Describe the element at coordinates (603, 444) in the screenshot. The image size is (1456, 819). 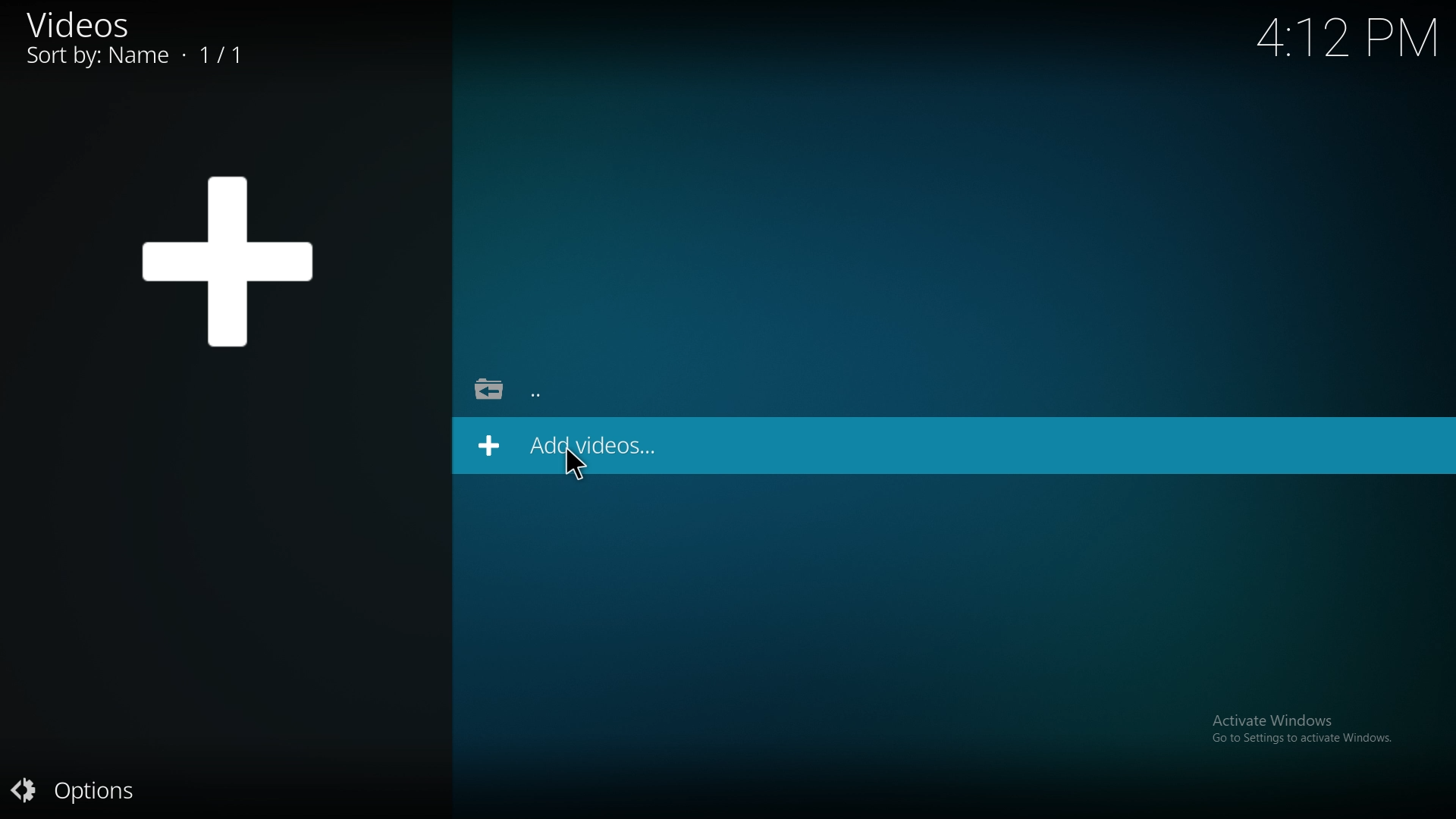
I see `add videos` at that location.